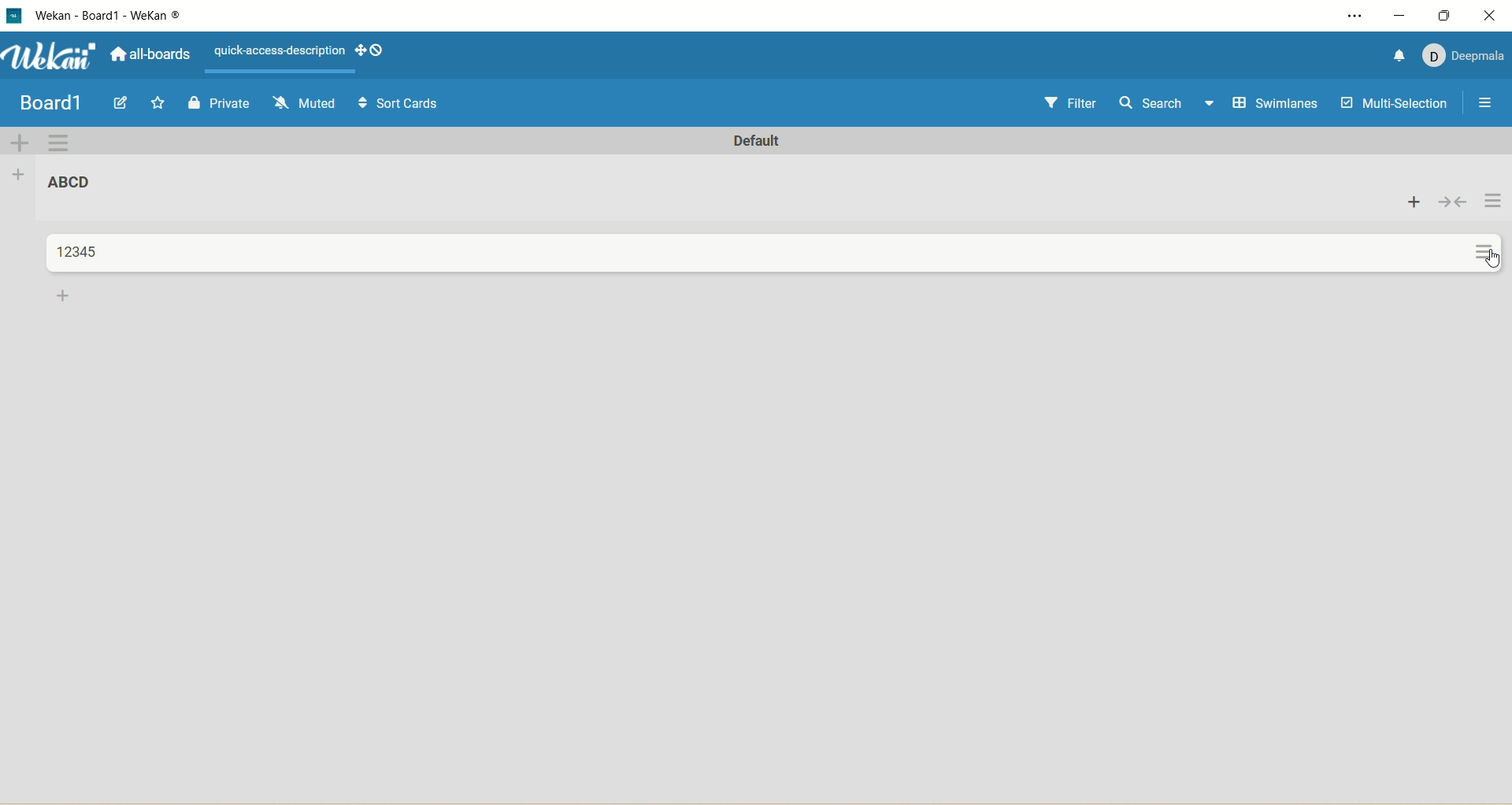 The image size is (1512, 805). Describe the element at coordinates (1346, 16) in the screenshot. I see `settings and more` at that location.